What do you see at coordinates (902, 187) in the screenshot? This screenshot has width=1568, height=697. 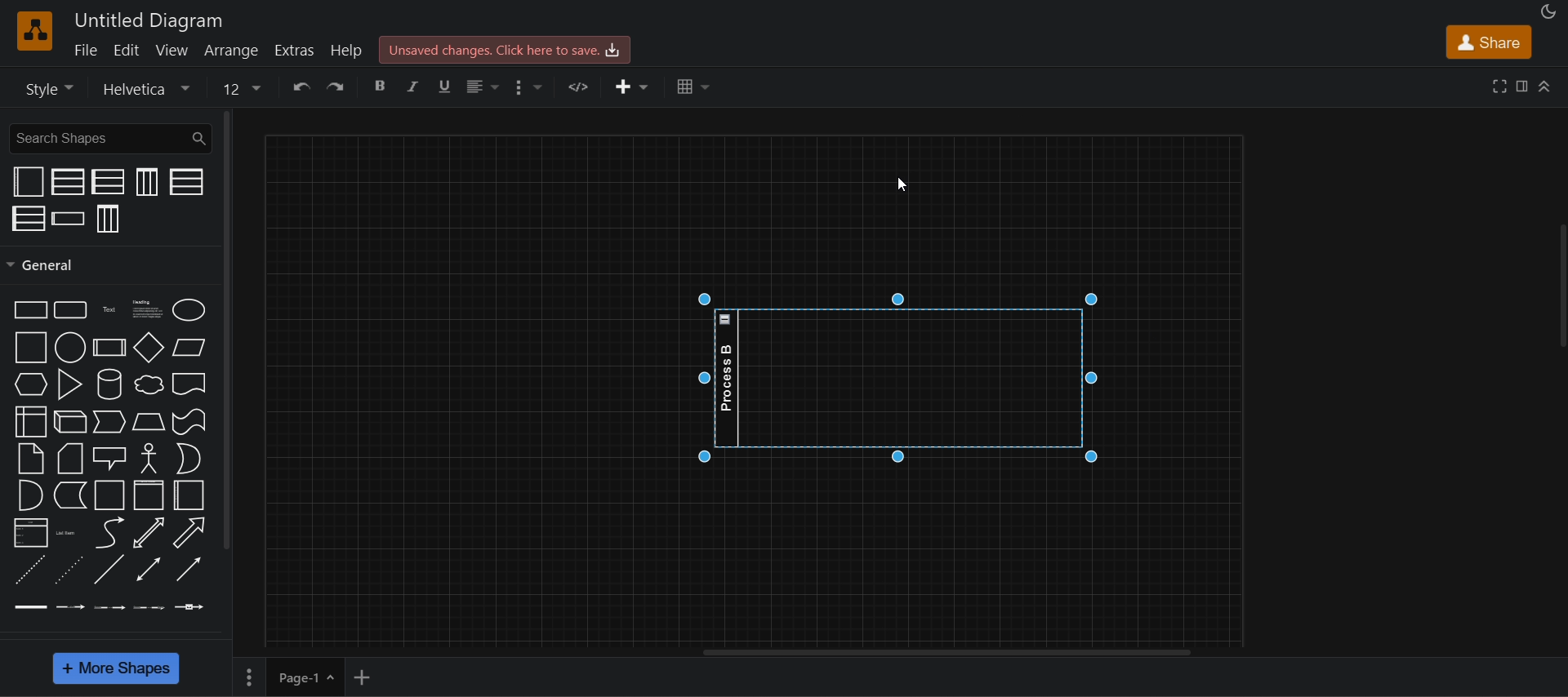 I see `cursor ` at bounding box center [902, 187].